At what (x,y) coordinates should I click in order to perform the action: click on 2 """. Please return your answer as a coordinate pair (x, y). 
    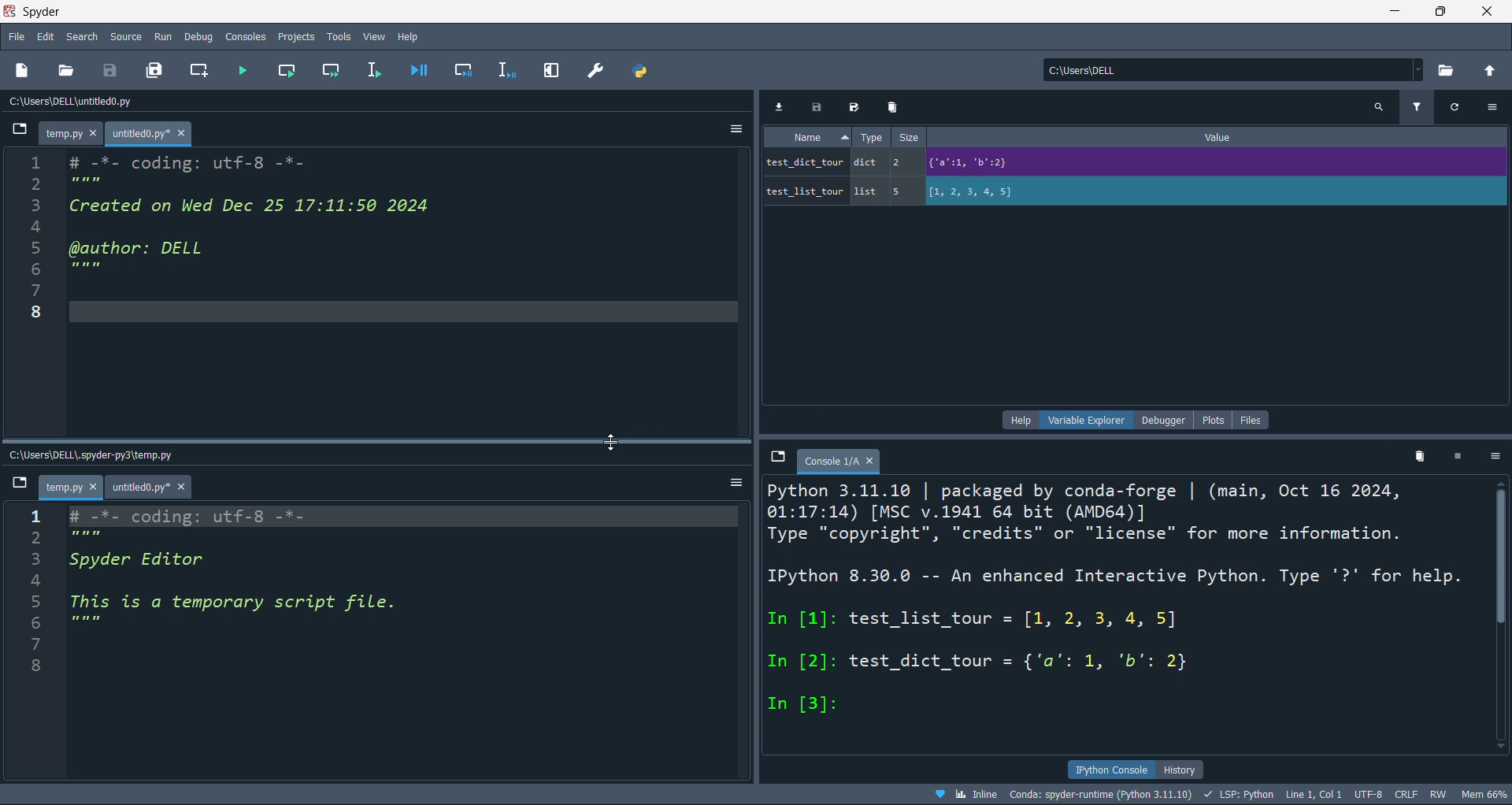
    Looking at the image, I should click on (83, 183).